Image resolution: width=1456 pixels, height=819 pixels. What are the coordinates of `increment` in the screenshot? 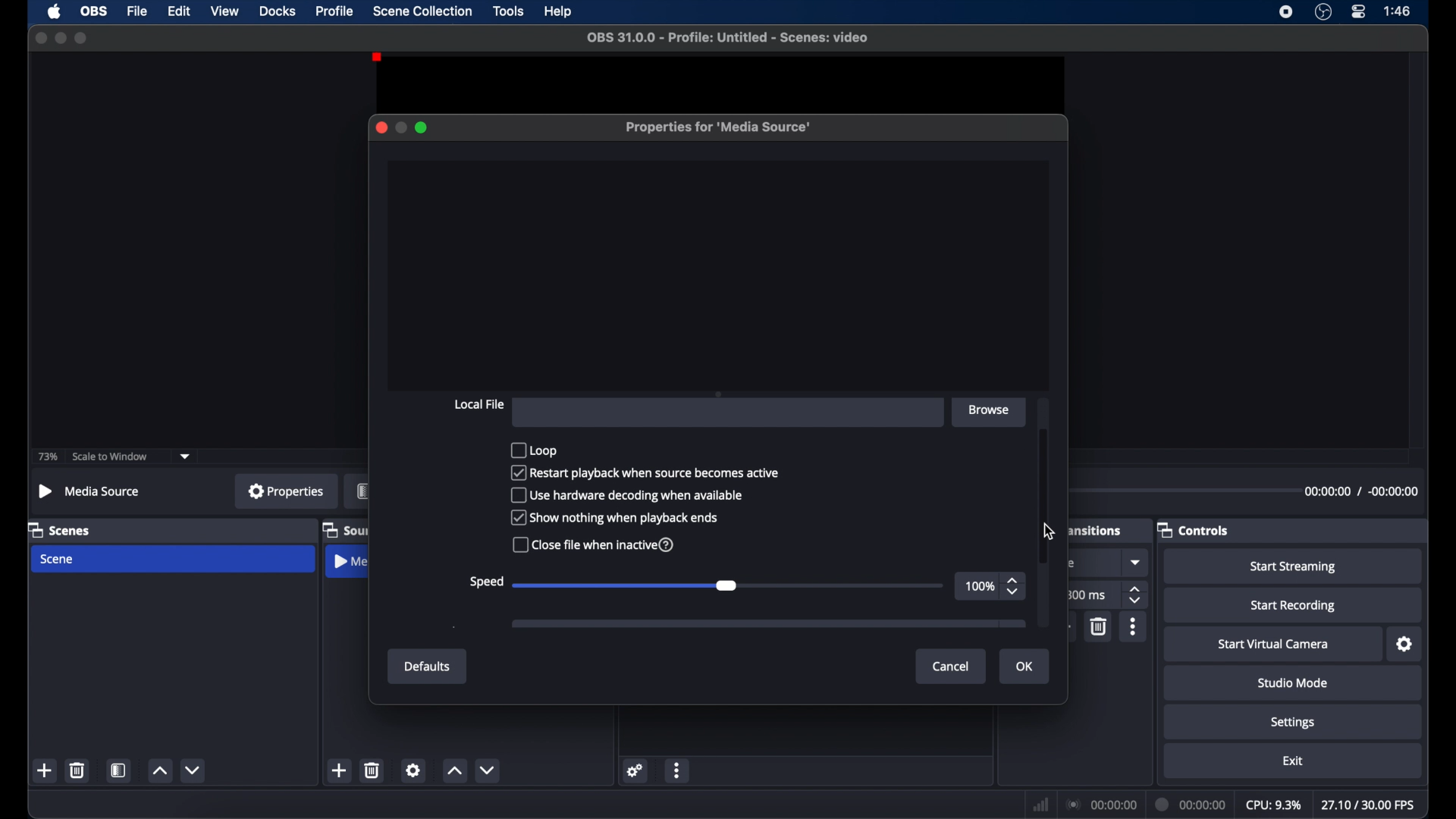 It's located at (160, 770).